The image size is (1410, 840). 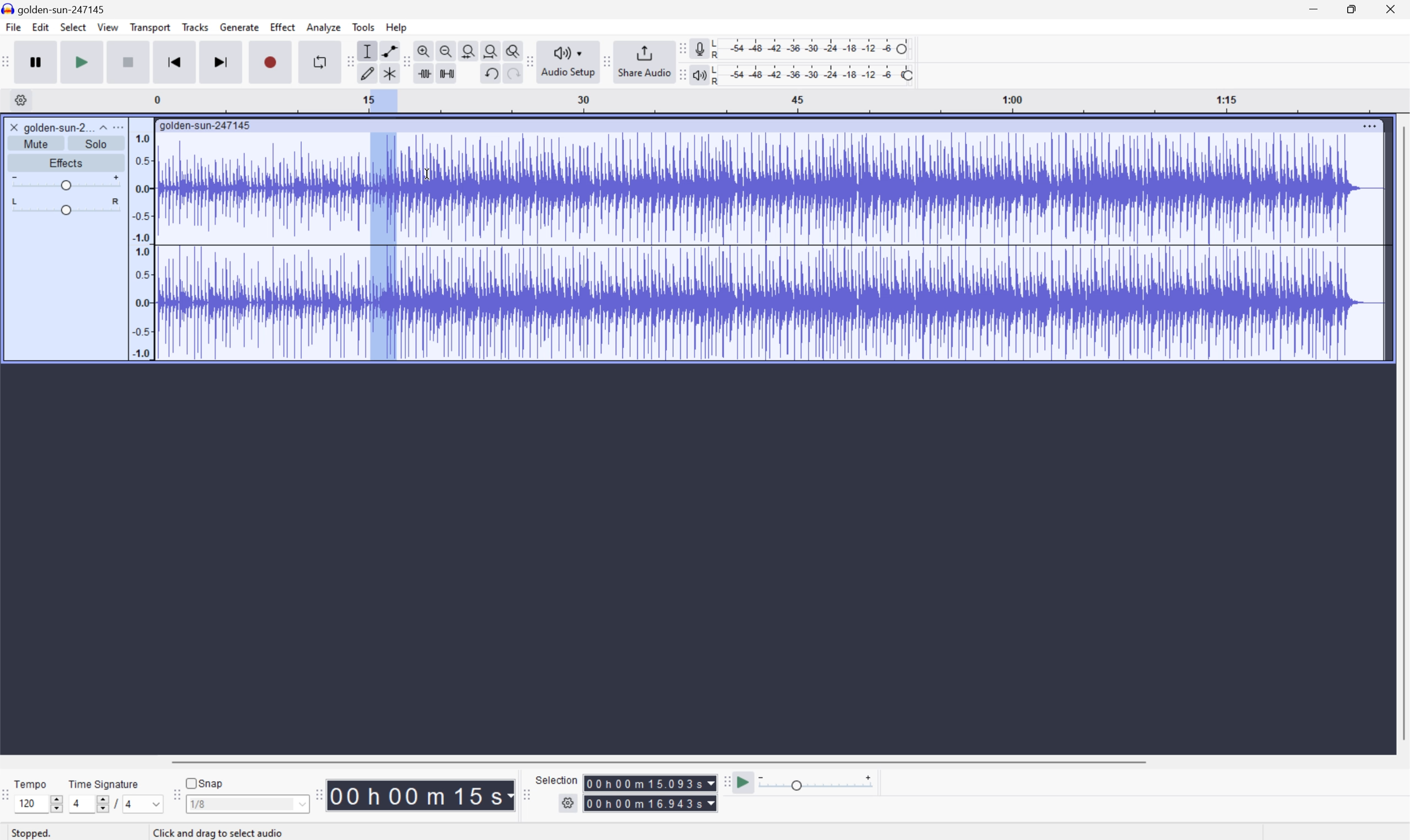 What do you see at coordinates (814, 73) in the screenshot?
I see `Playback speed: 100%` at bounding box center [814, 73].